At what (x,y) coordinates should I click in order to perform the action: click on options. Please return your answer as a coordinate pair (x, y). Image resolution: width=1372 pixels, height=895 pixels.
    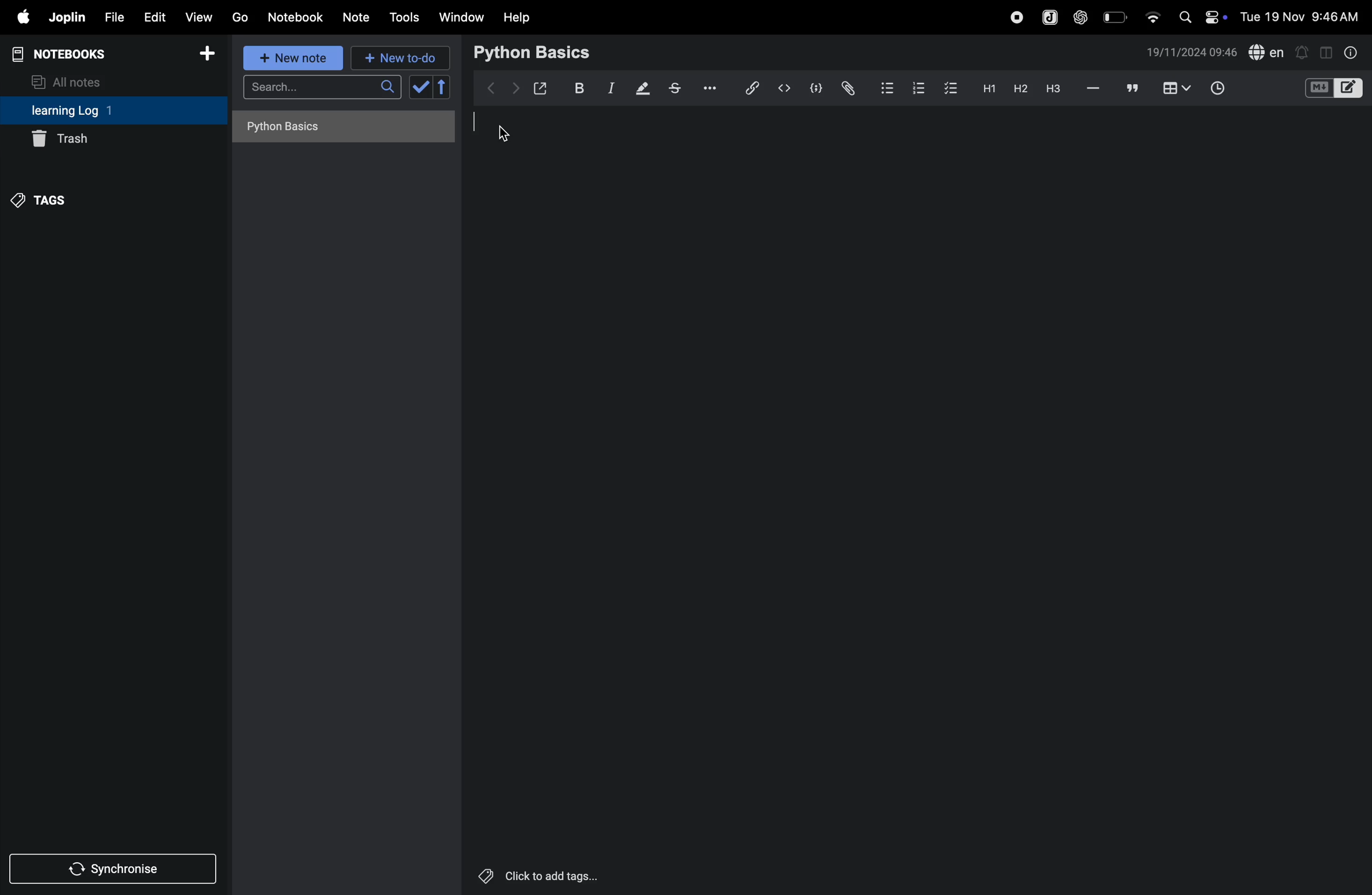
    Looking at the image, I should click on (707, 87).